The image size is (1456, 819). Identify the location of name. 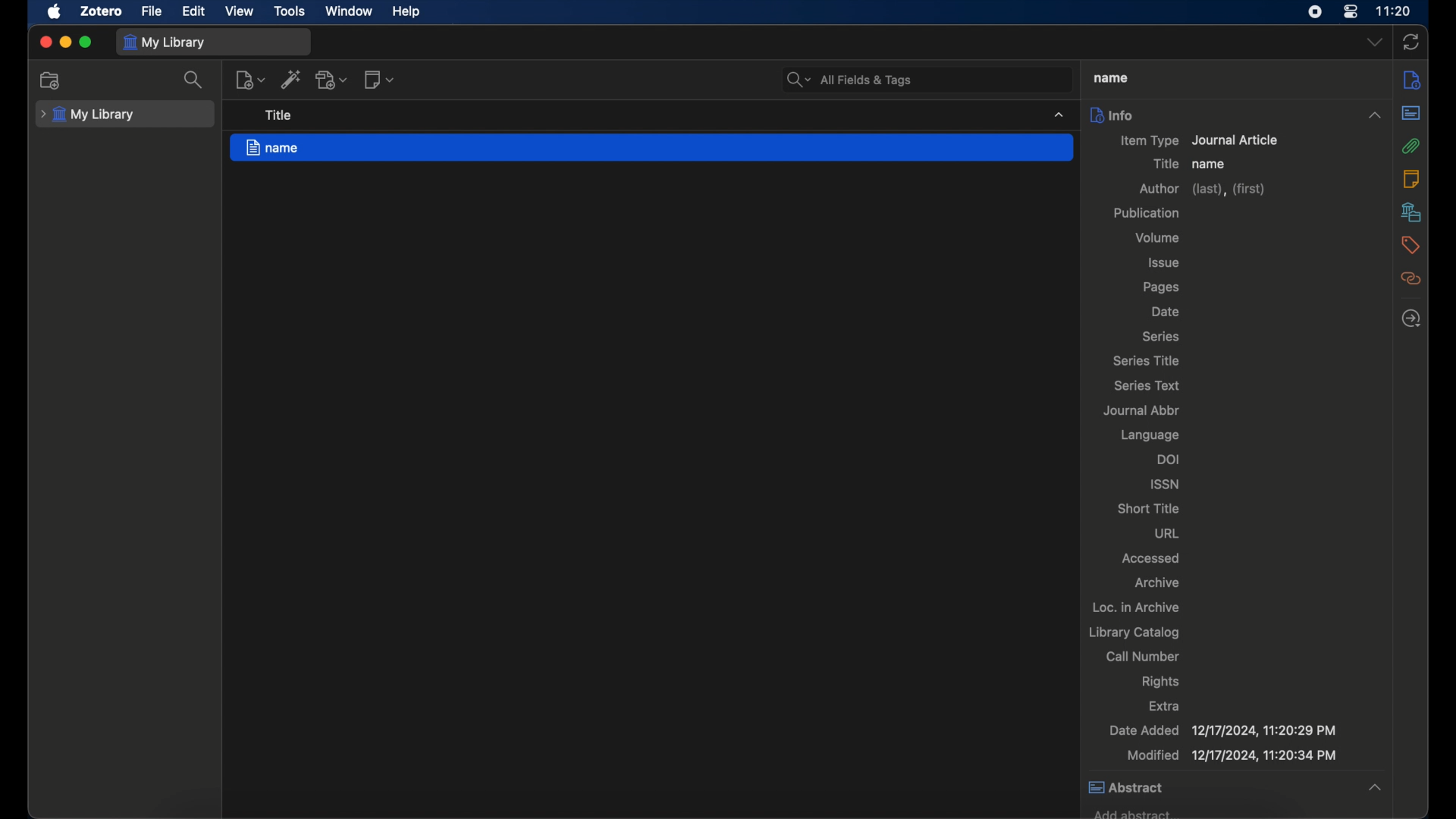
(1211, 165).